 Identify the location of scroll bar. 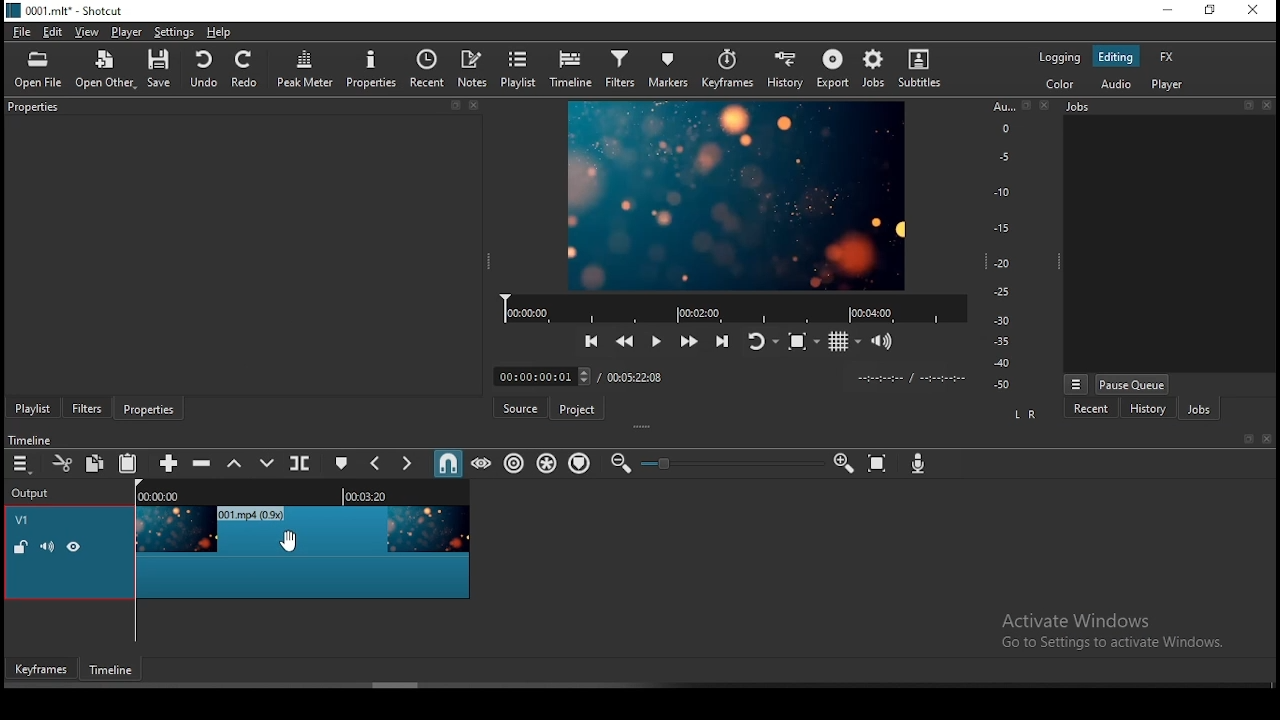
(395, 685).